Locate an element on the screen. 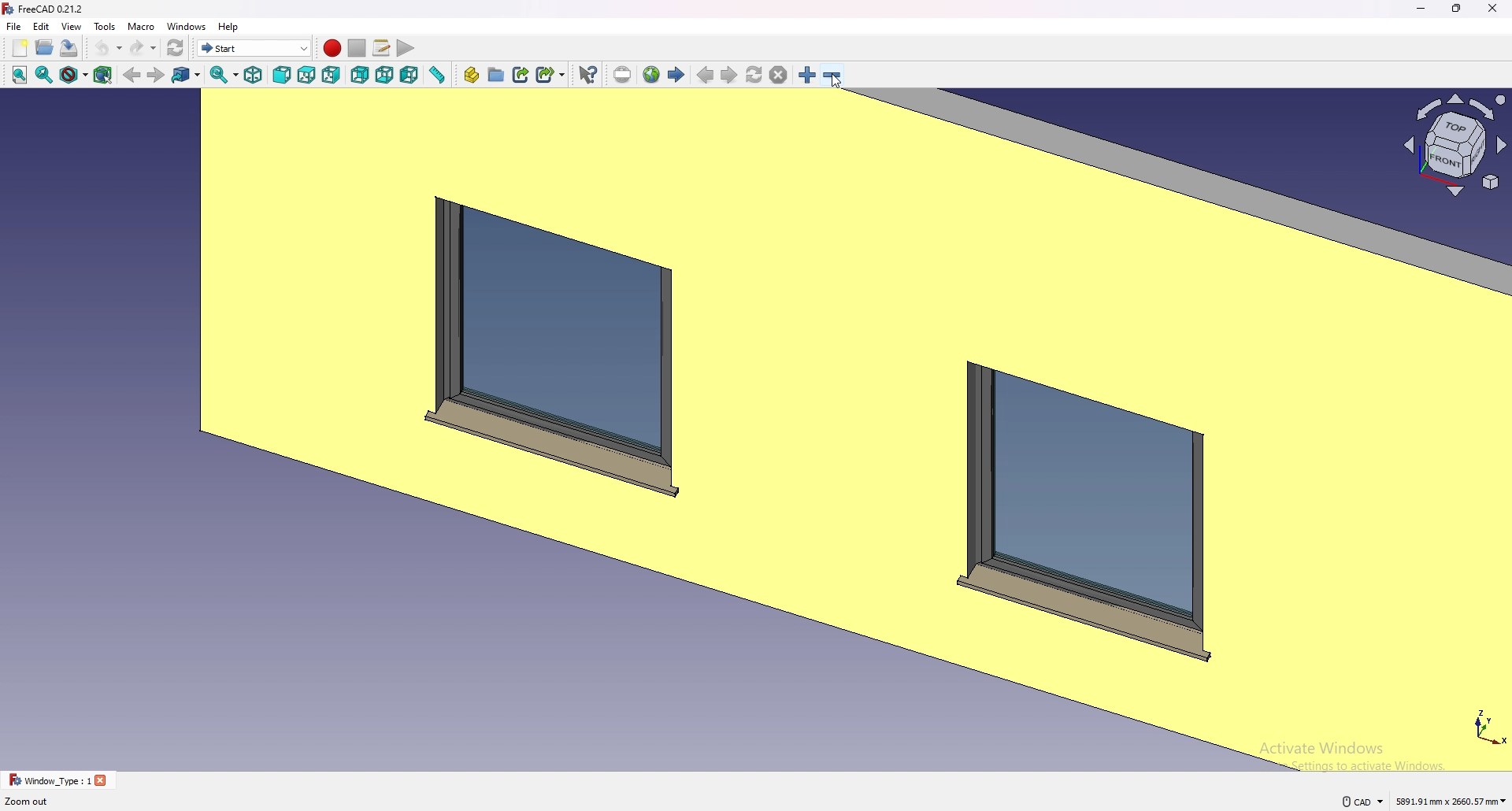 The width and height of the screenshot is (1512, 811). whats this? is located at coordinates (587, 74).